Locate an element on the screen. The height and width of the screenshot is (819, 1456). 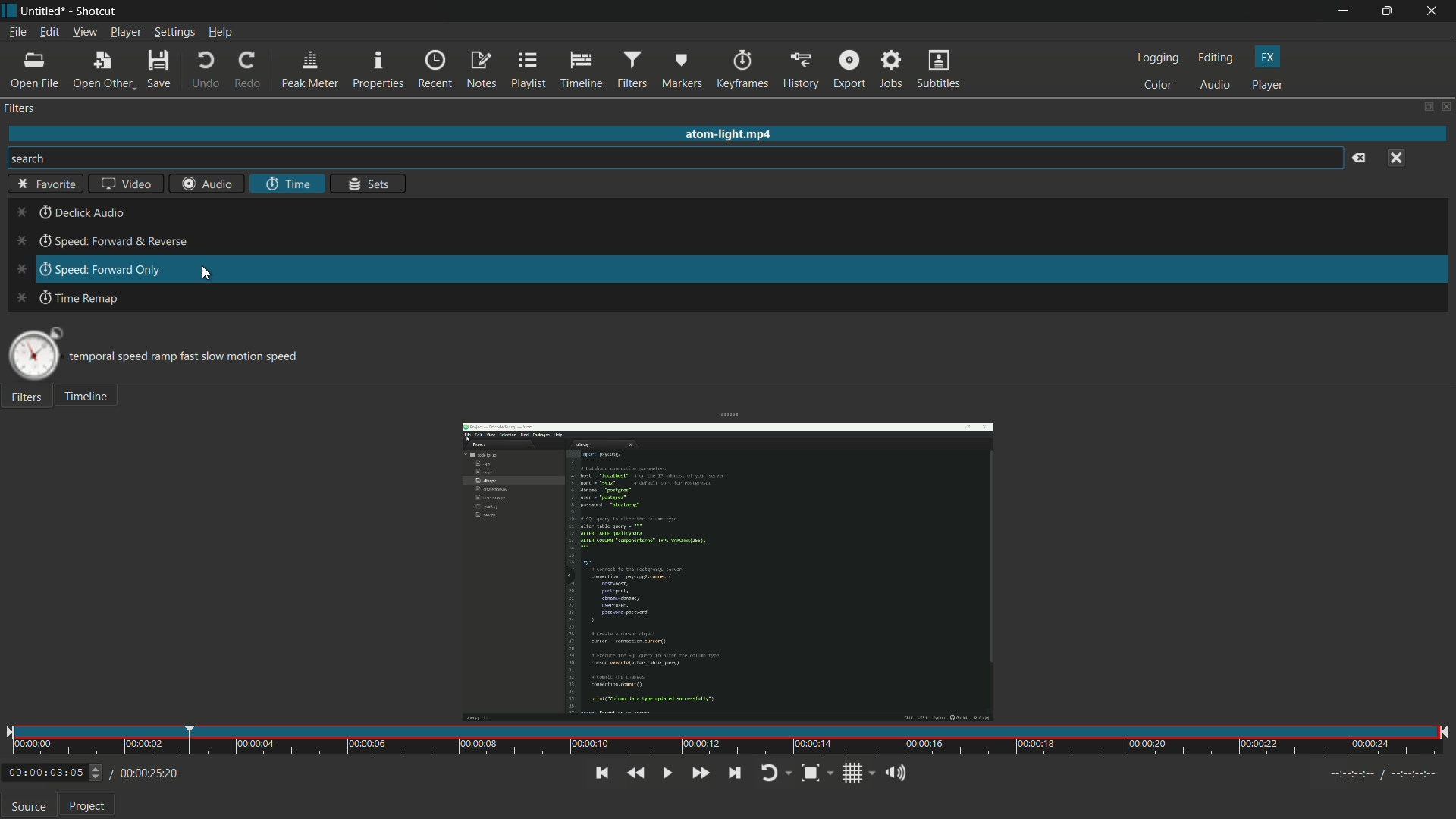
minimize is located at coordinates (1341, 11).